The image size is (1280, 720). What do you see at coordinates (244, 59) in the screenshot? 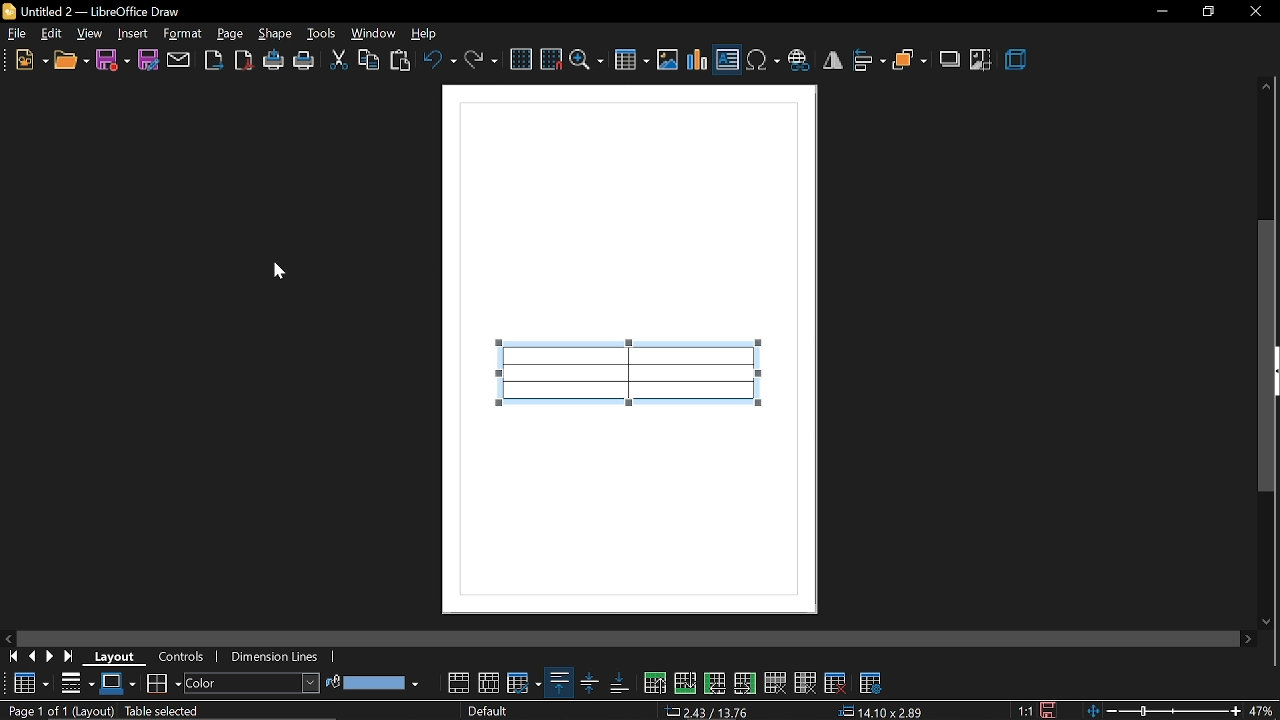
I see `export as pdf` at bounding box center [244, 59].